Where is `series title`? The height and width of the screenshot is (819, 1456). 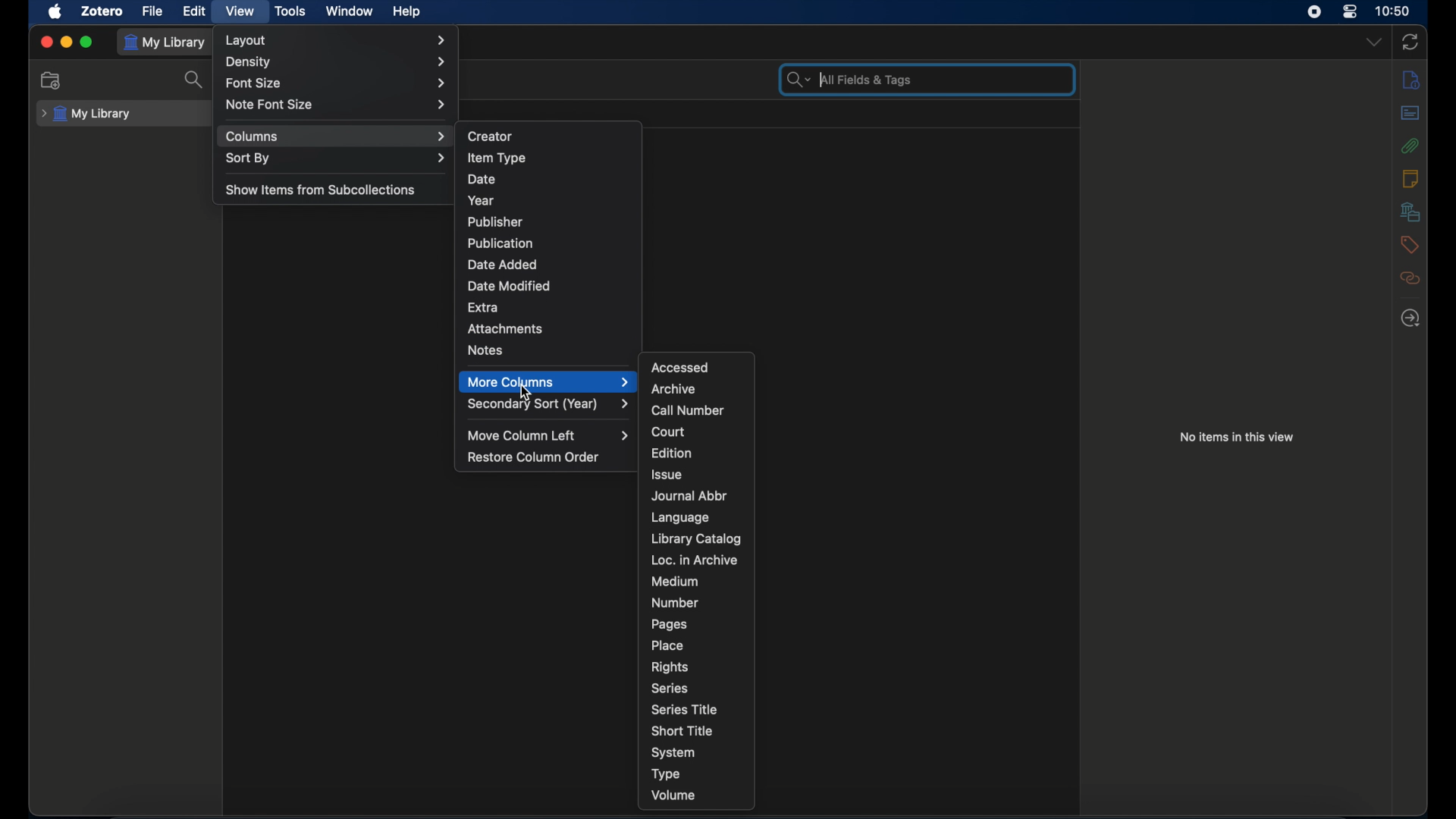
series title is located at coordinates (686, 710).